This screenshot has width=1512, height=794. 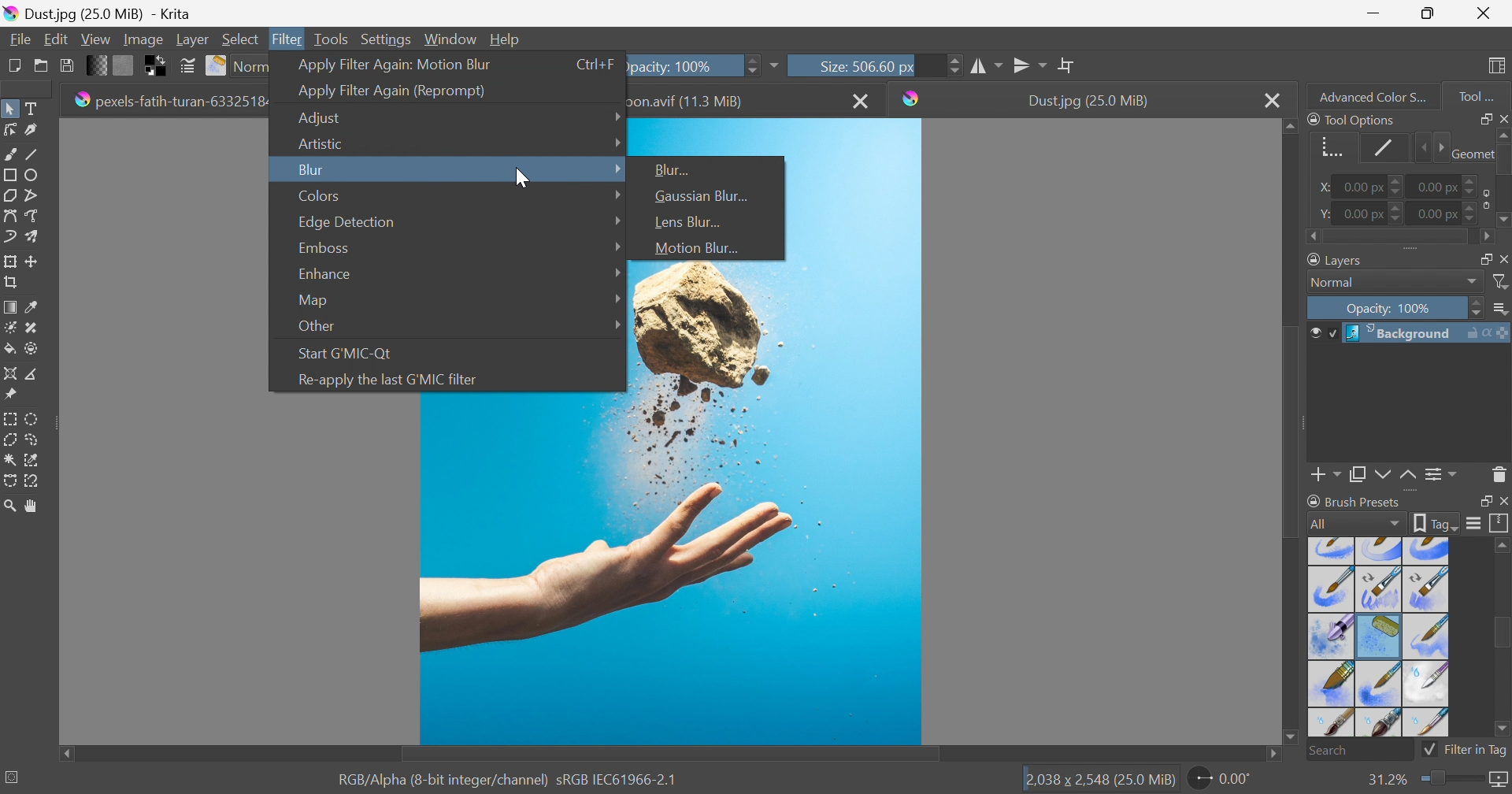 What do you see at coordinates (750, 64) in the screenshot?
I see `Slider` at bounding box center [750, 64].